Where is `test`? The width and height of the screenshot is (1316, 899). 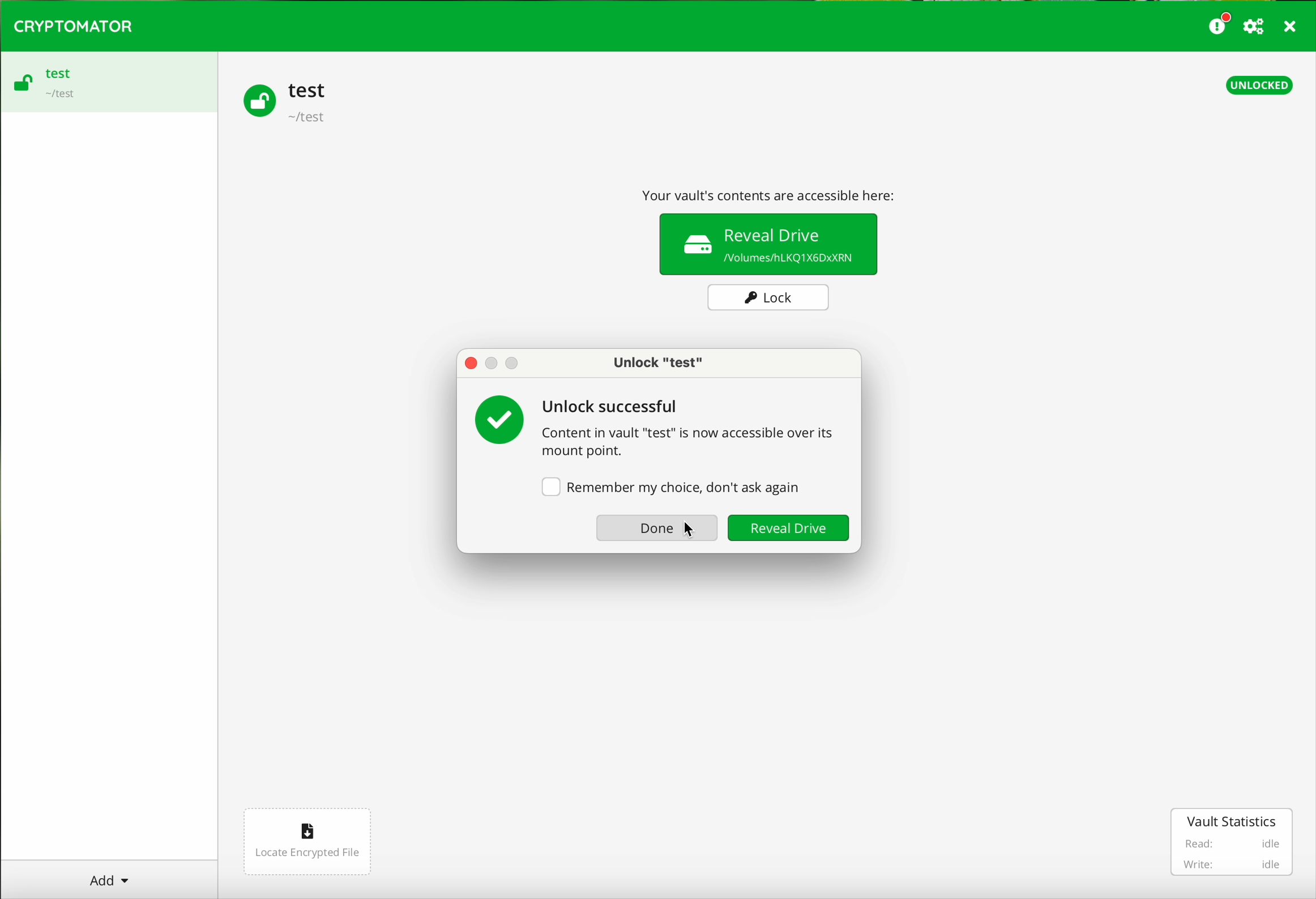 test is located at coordinates (307, 90).